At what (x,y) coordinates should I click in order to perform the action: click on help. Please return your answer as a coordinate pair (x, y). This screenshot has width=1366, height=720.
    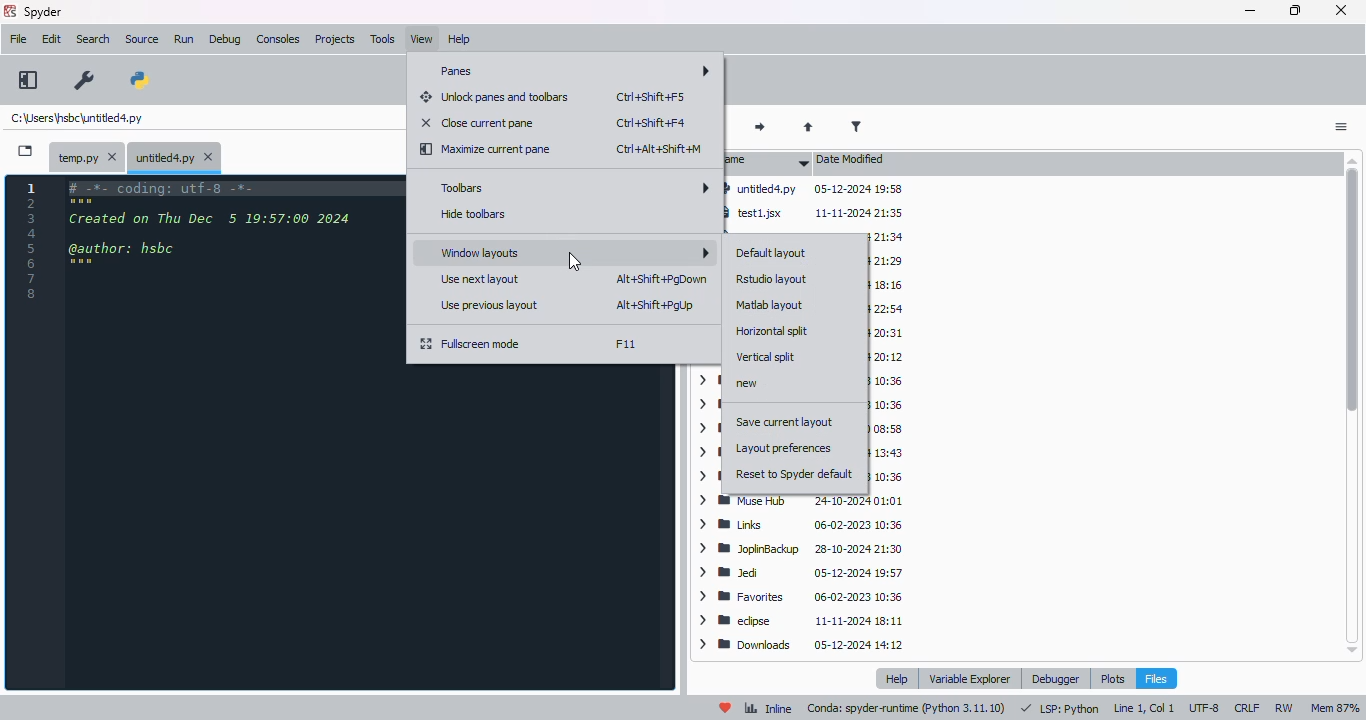
    Looking at the image, I should click on (900, 678).